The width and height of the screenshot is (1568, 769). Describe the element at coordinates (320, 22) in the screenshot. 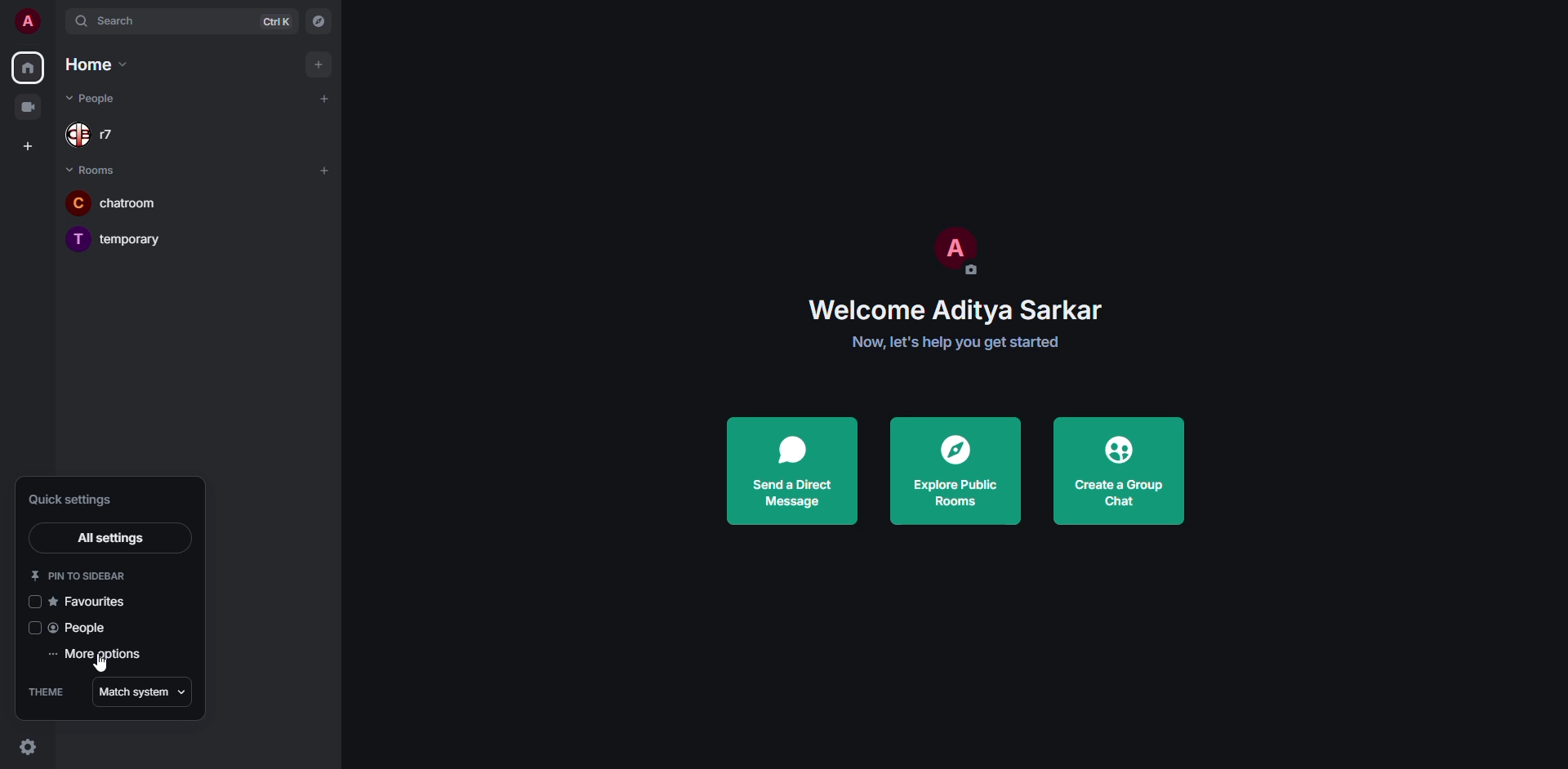

I see `navigator` at that location.